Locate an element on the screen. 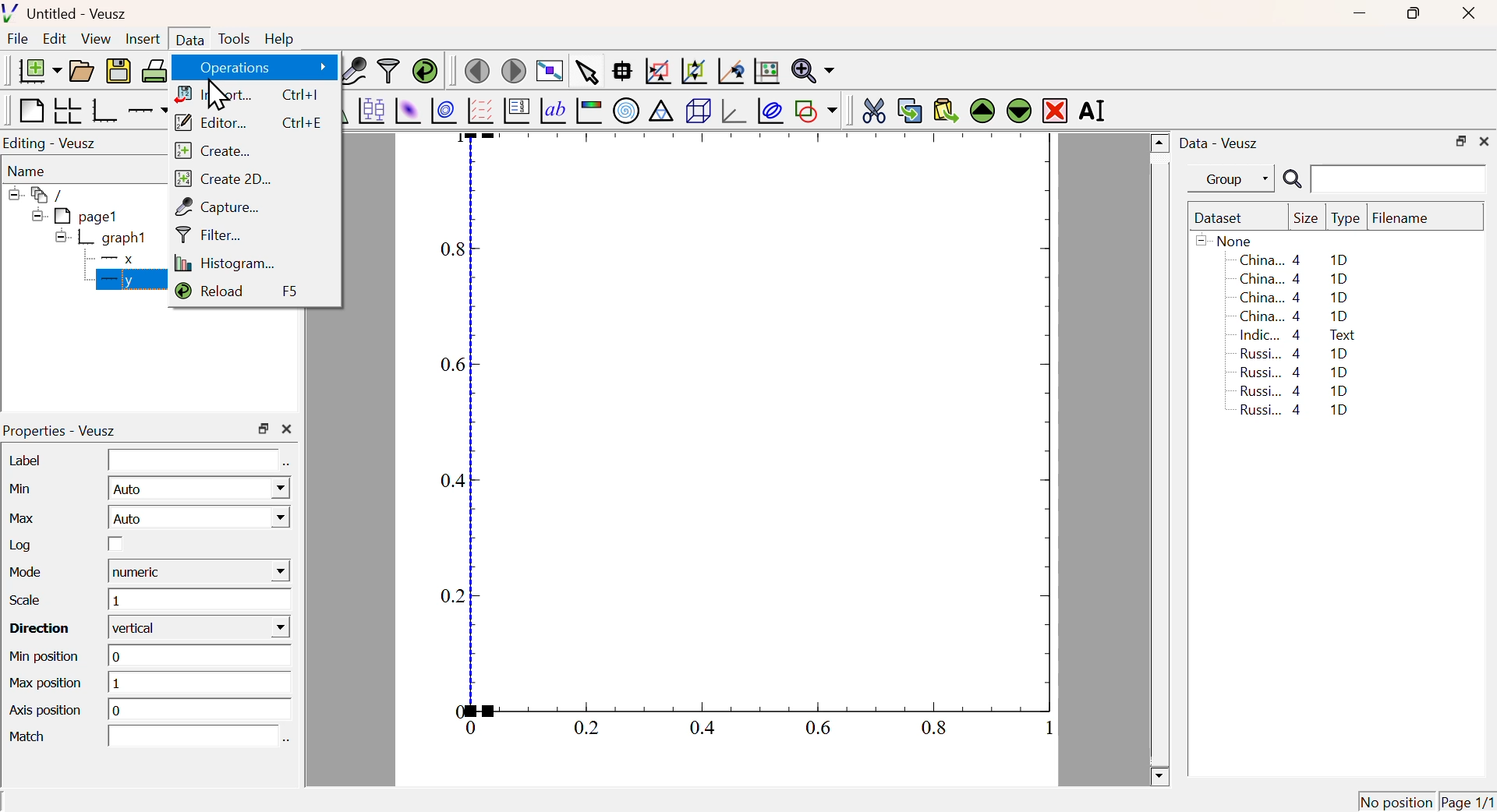 This screenshot has height=812, width=1497. Name is located at coordinates (28, 171).